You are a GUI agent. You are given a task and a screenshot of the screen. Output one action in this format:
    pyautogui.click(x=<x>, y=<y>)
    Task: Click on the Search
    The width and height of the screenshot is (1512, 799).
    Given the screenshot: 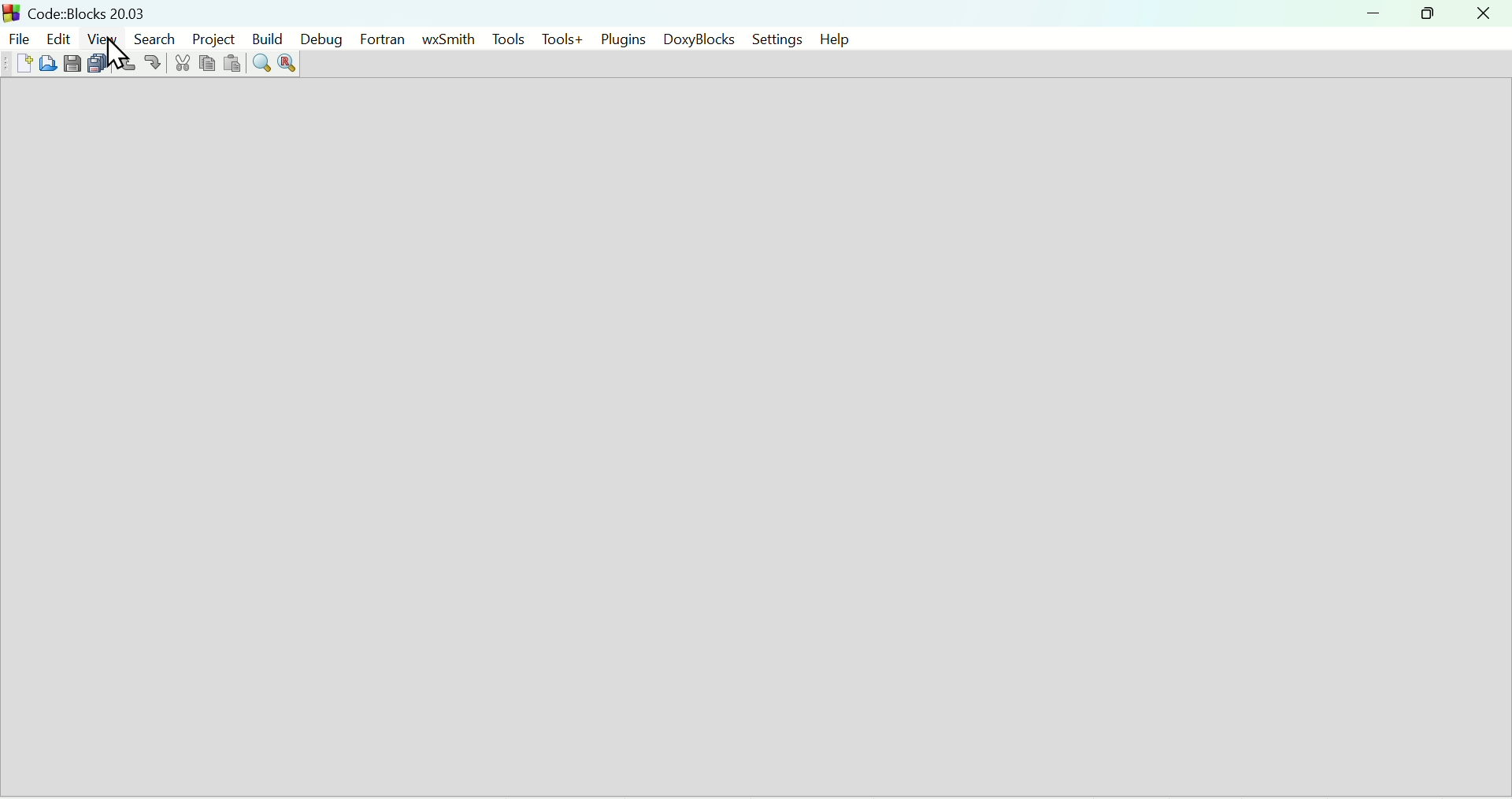 What is the action you would take?
    pyautogui.click(x=152, y=38)
    